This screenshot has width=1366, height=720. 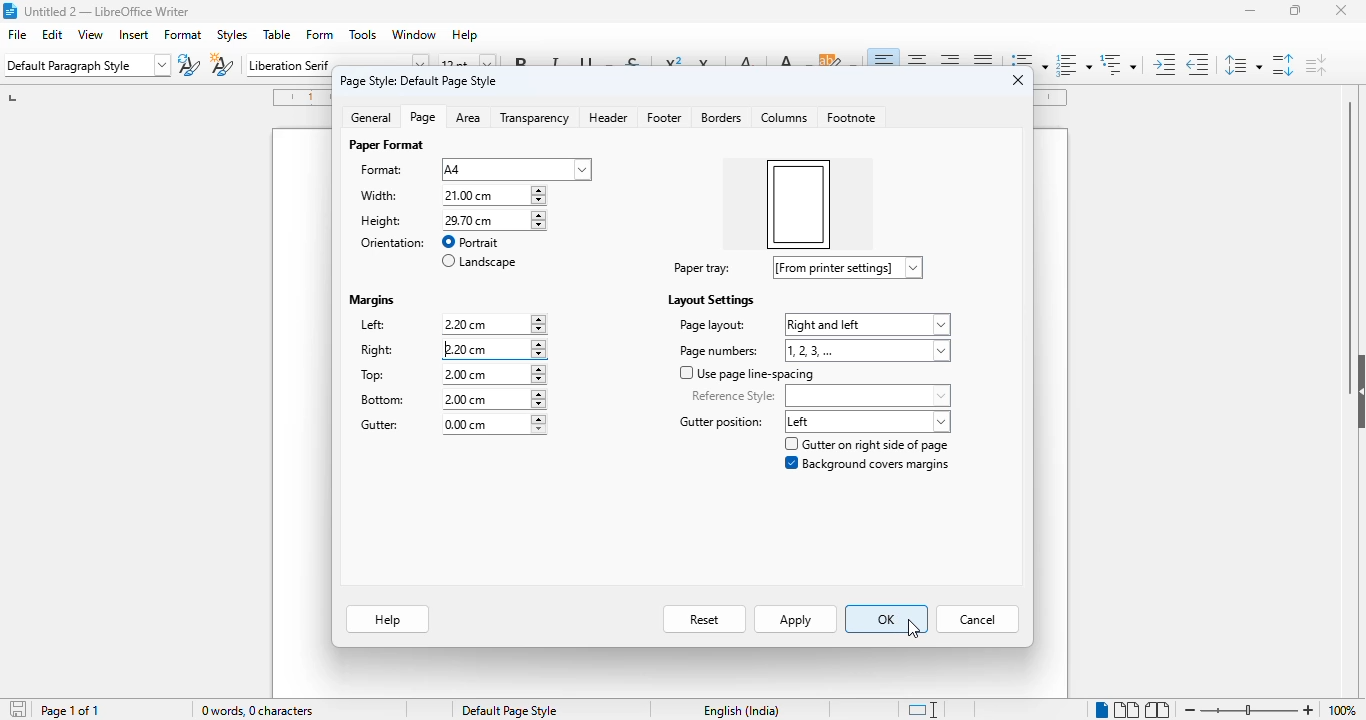 What do you see at coordinates (1284, 65) in the screenshot?
I see `increase paragraph spacing` at bounding box center [1284, 65].